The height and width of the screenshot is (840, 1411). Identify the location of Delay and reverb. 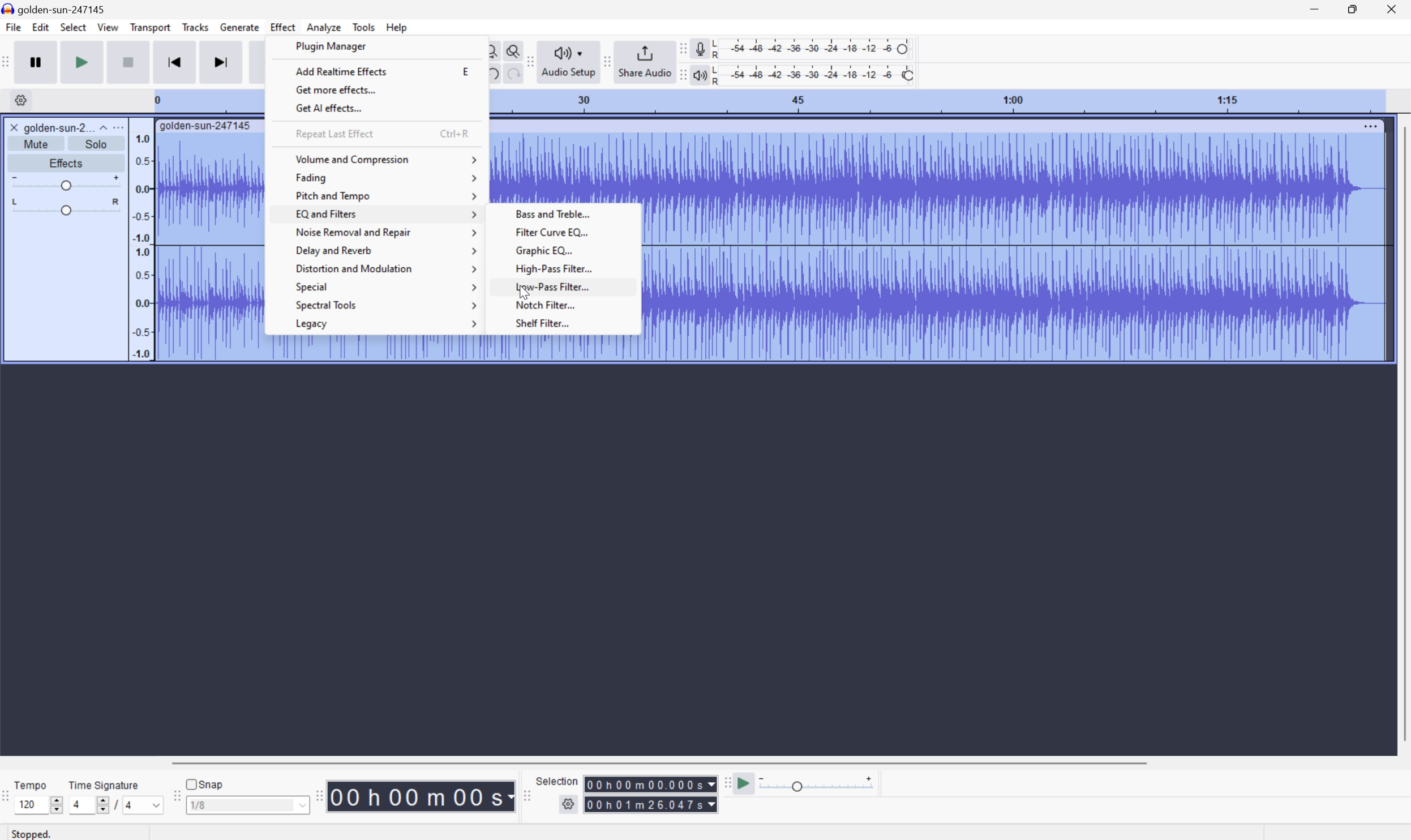
(385, 251).